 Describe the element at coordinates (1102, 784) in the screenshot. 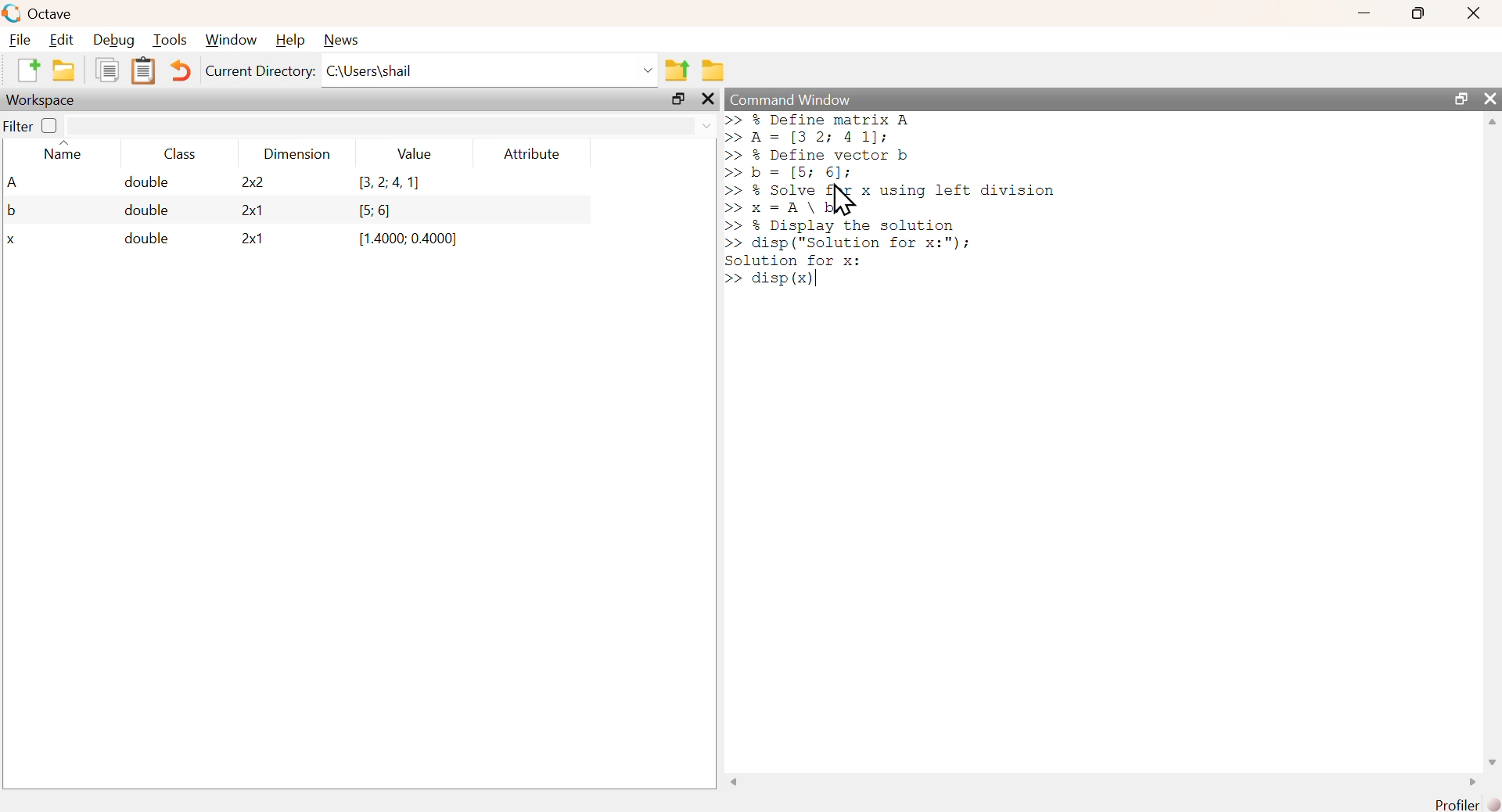

I see `scrollbar` at that location.